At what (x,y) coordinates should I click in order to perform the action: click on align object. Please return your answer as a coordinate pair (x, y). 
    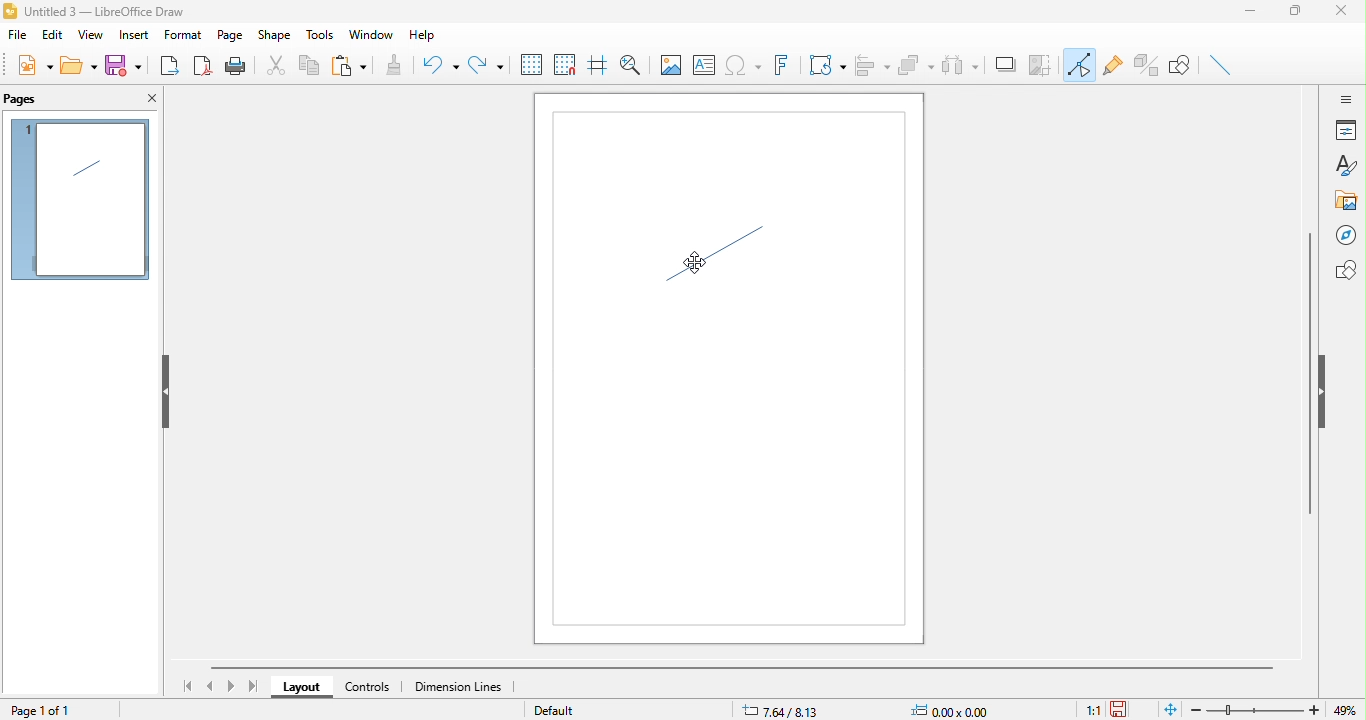
    Looking at the image, I should click on (873, 67).